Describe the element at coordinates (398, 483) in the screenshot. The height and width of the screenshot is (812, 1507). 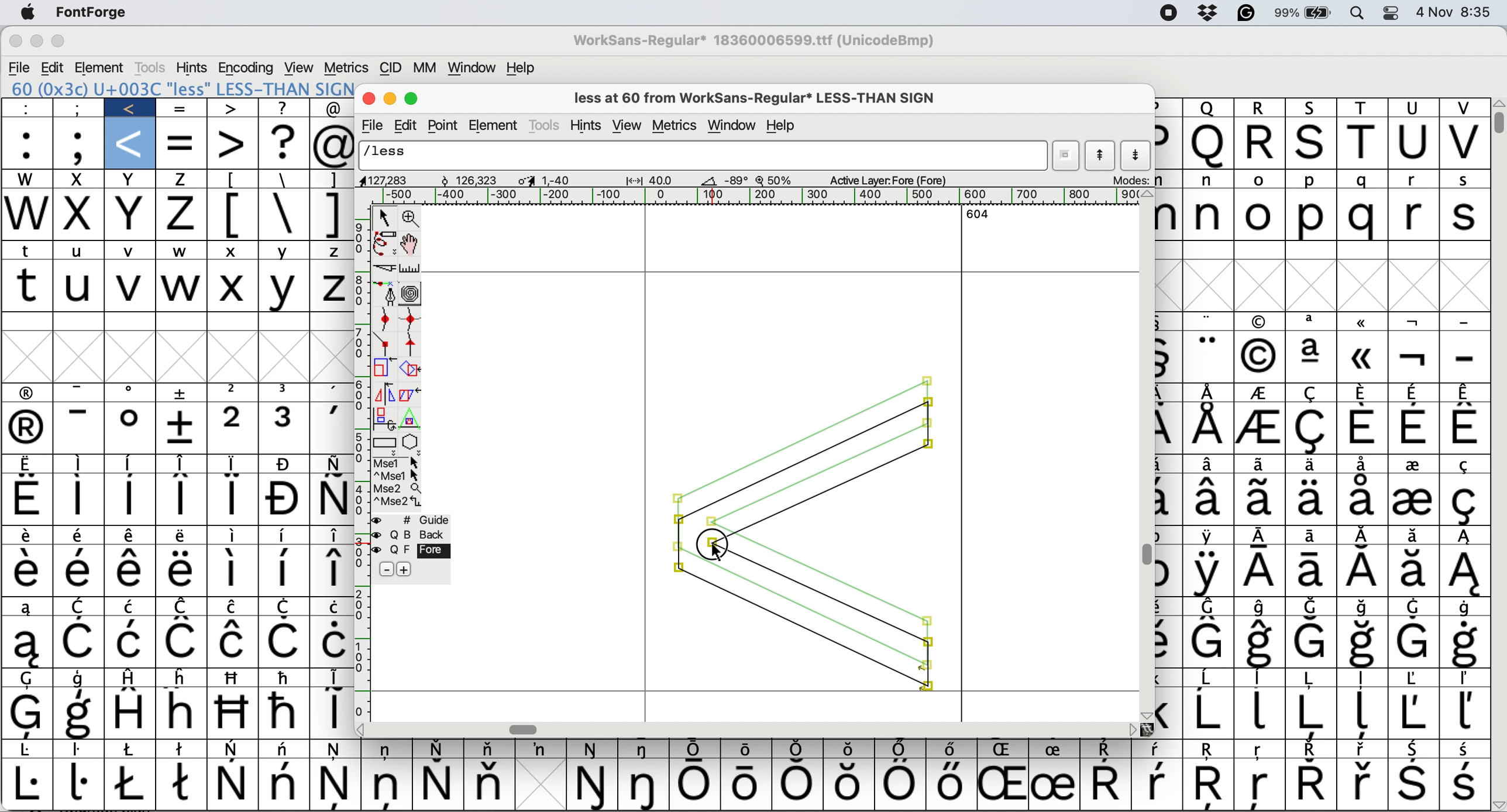
I see `more options` at that location.